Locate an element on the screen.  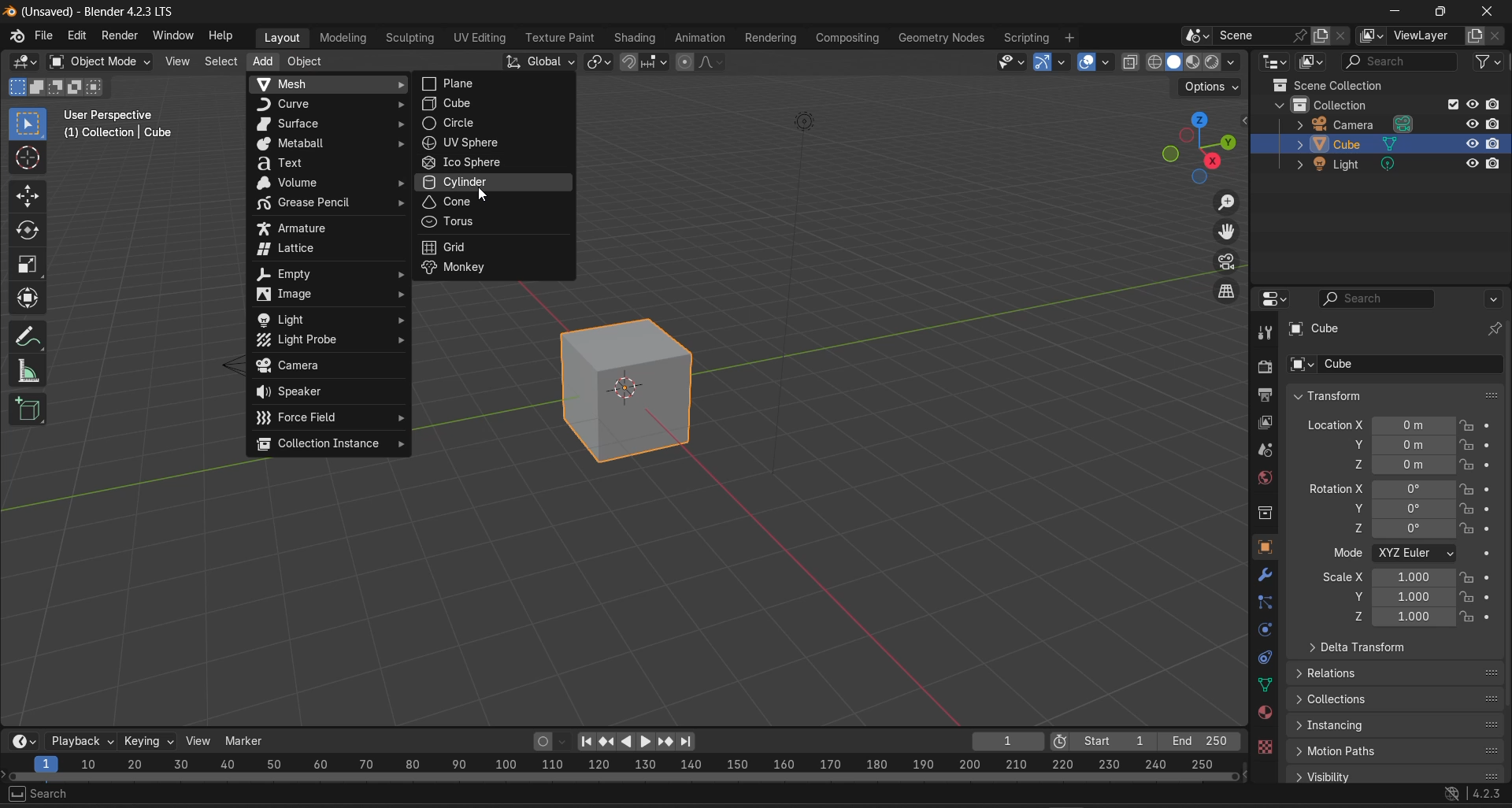
lattice is located at coordinates (328, 249).